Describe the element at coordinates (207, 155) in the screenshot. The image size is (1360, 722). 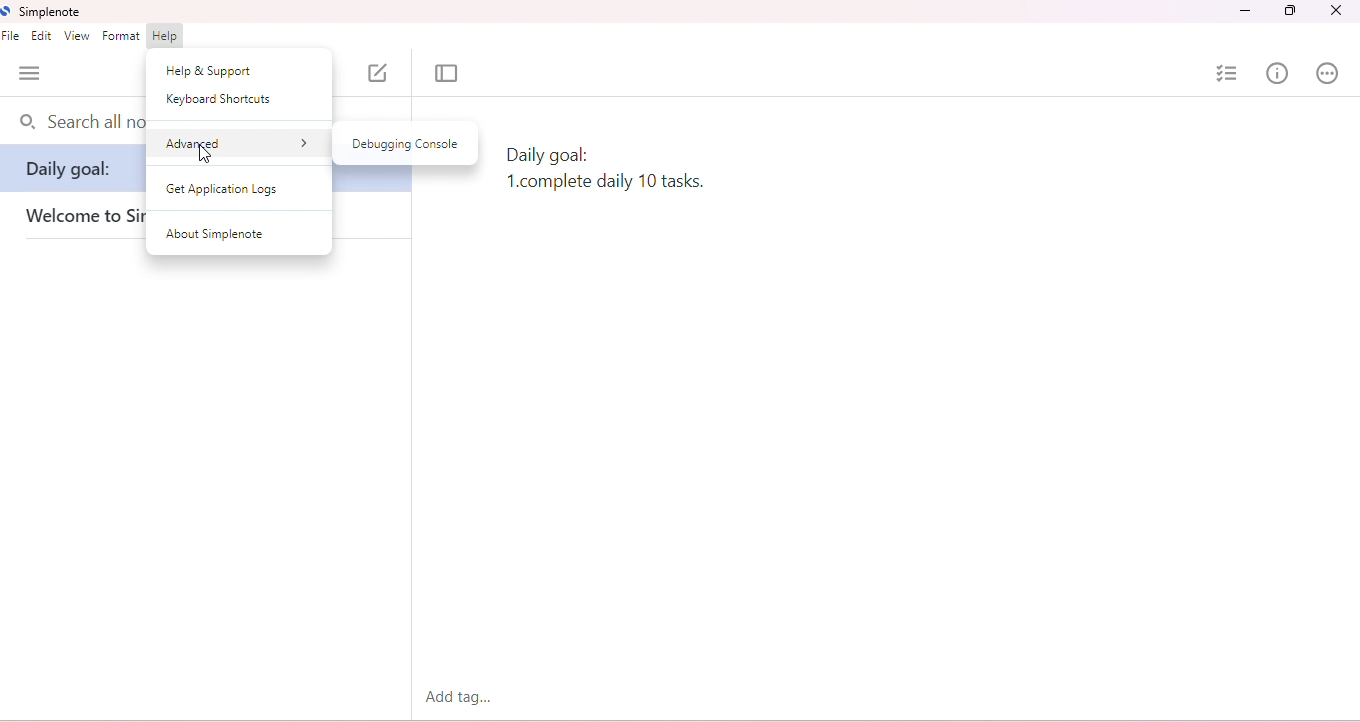
I see `cursor movement` at that location.